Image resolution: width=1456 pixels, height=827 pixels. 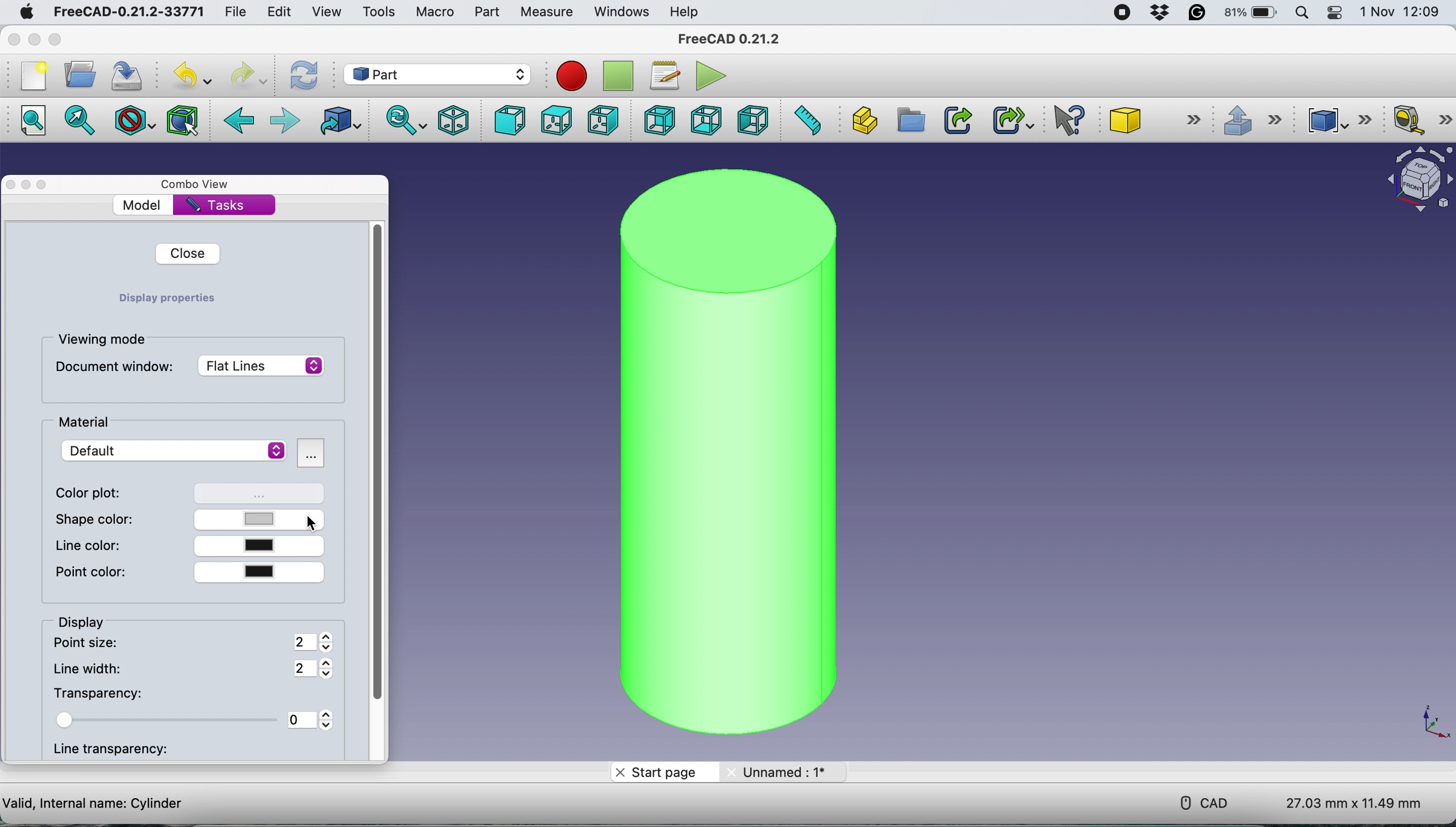 What do you see at coordinates (403, 120) in the screenshot?
I see `sync view` at bounding box center [403, 120].